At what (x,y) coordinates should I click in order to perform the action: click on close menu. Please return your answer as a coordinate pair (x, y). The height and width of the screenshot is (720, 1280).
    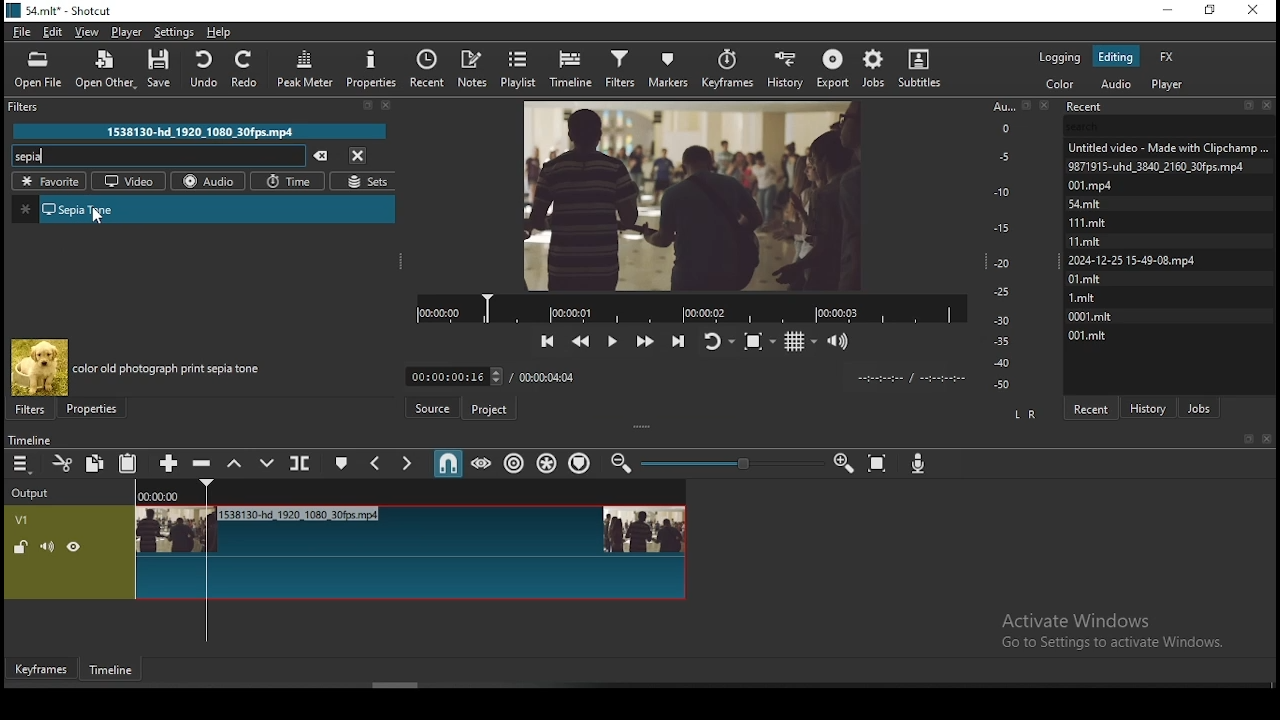
    Looking at the image, I should click on (356, 154).